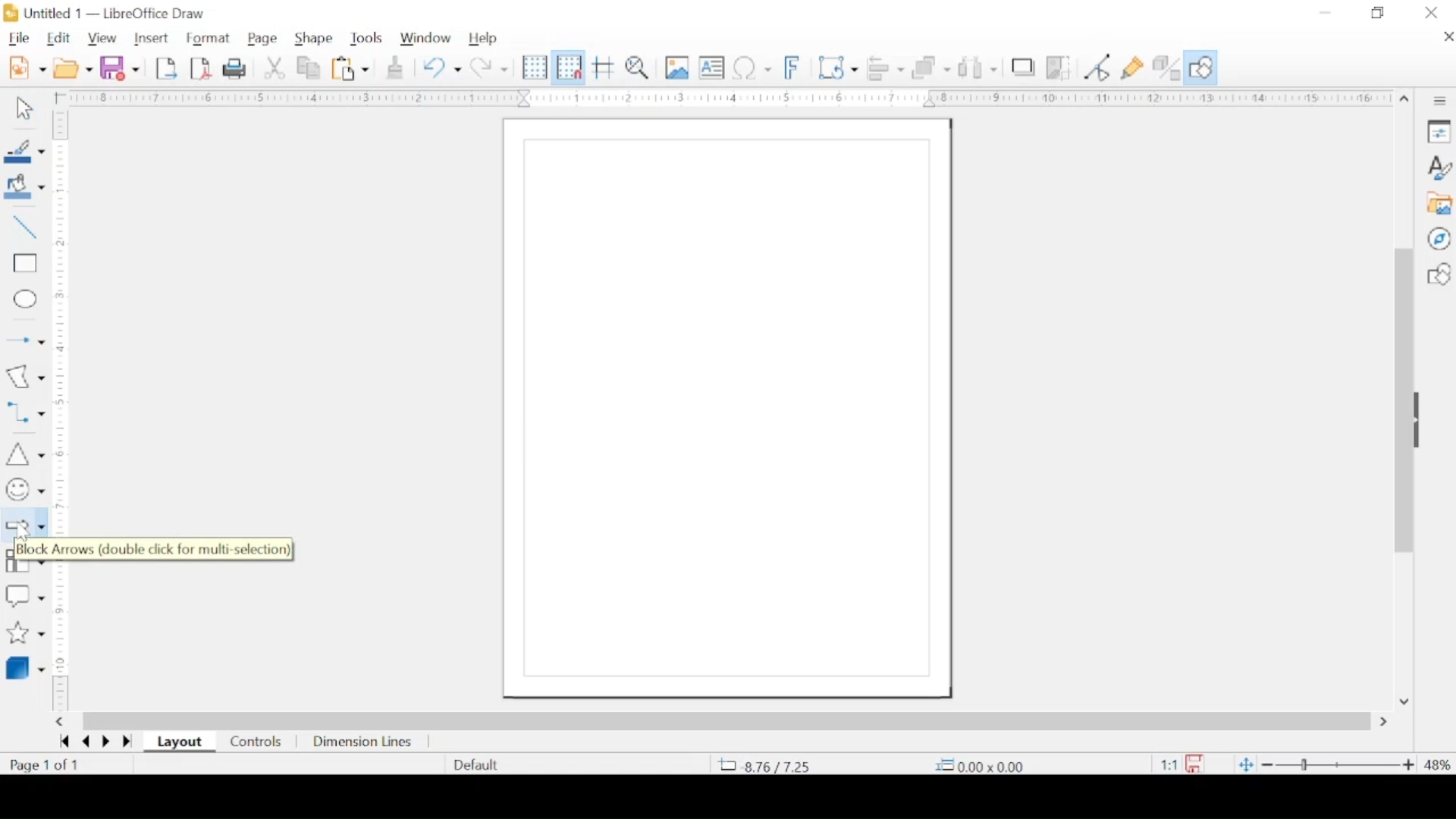  What do you see at coordinates (1379, 13) in the screenshot?
I see `restore down` at bounding box center [1379, 13].